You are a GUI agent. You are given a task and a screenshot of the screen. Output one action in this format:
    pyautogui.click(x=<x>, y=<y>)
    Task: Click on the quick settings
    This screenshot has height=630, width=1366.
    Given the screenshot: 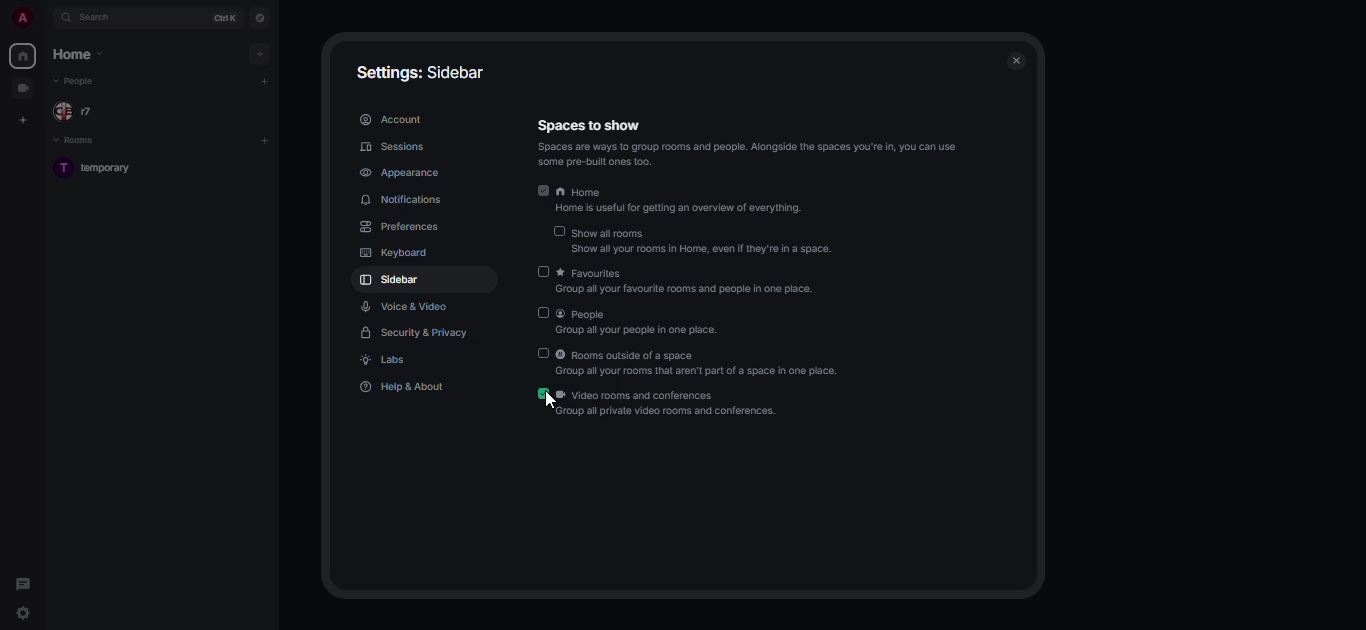 What is the action you would take?
    pyautogui.click(x=22, y=614)
    